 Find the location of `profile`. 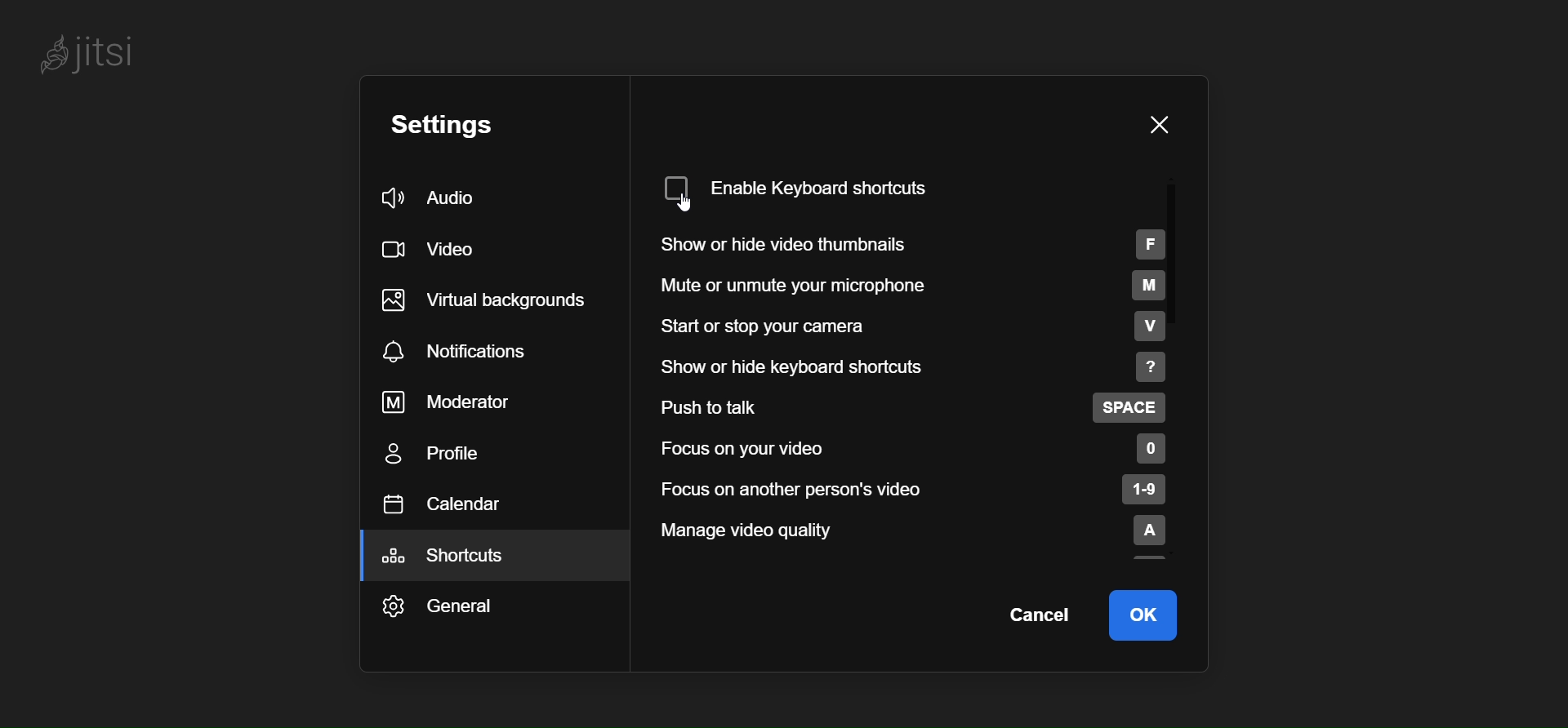

profile is located at coordinates (449, 456).